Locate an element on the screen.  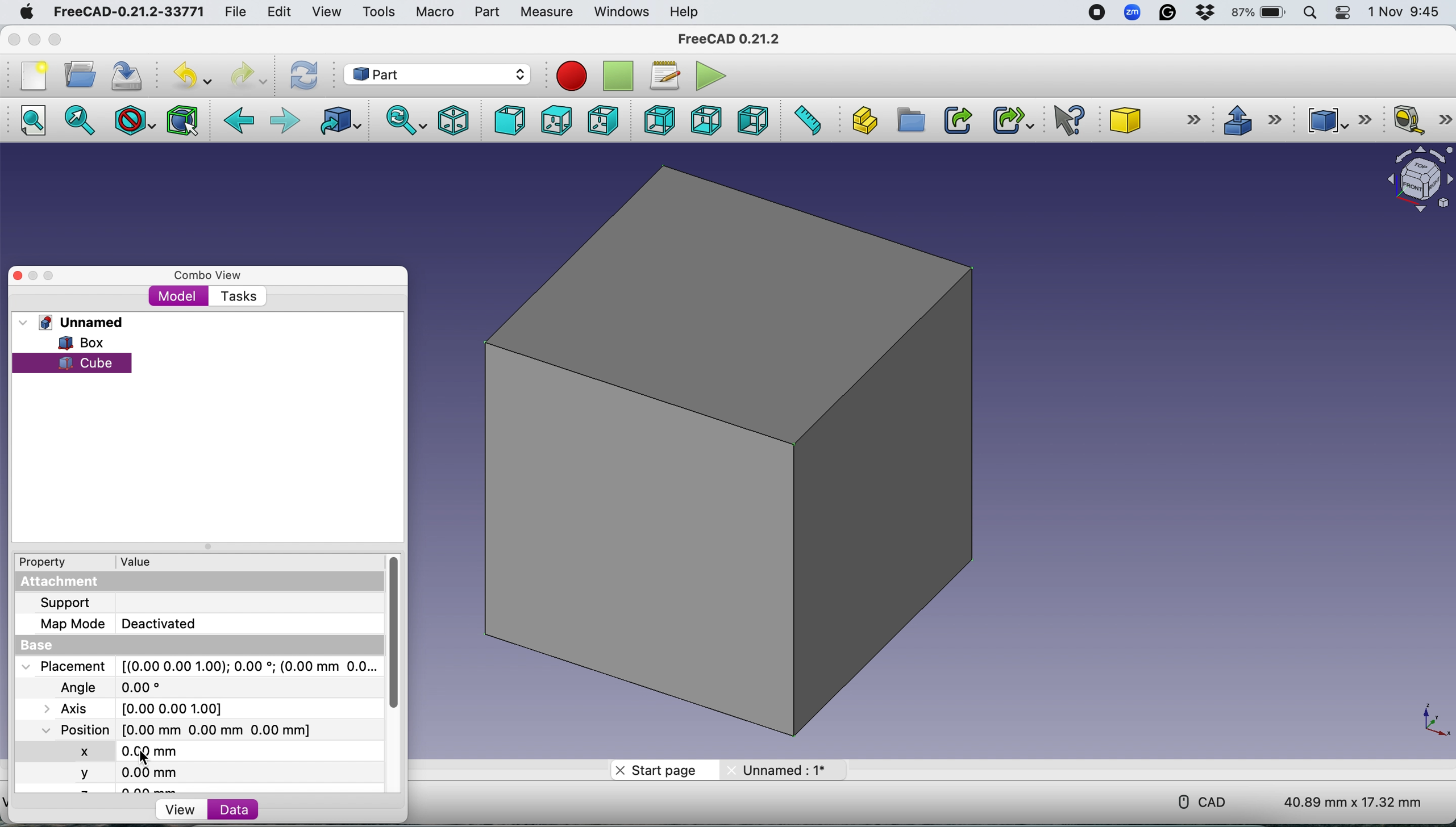
1 Nov 9:45 is located at coordinates (1406, 12).